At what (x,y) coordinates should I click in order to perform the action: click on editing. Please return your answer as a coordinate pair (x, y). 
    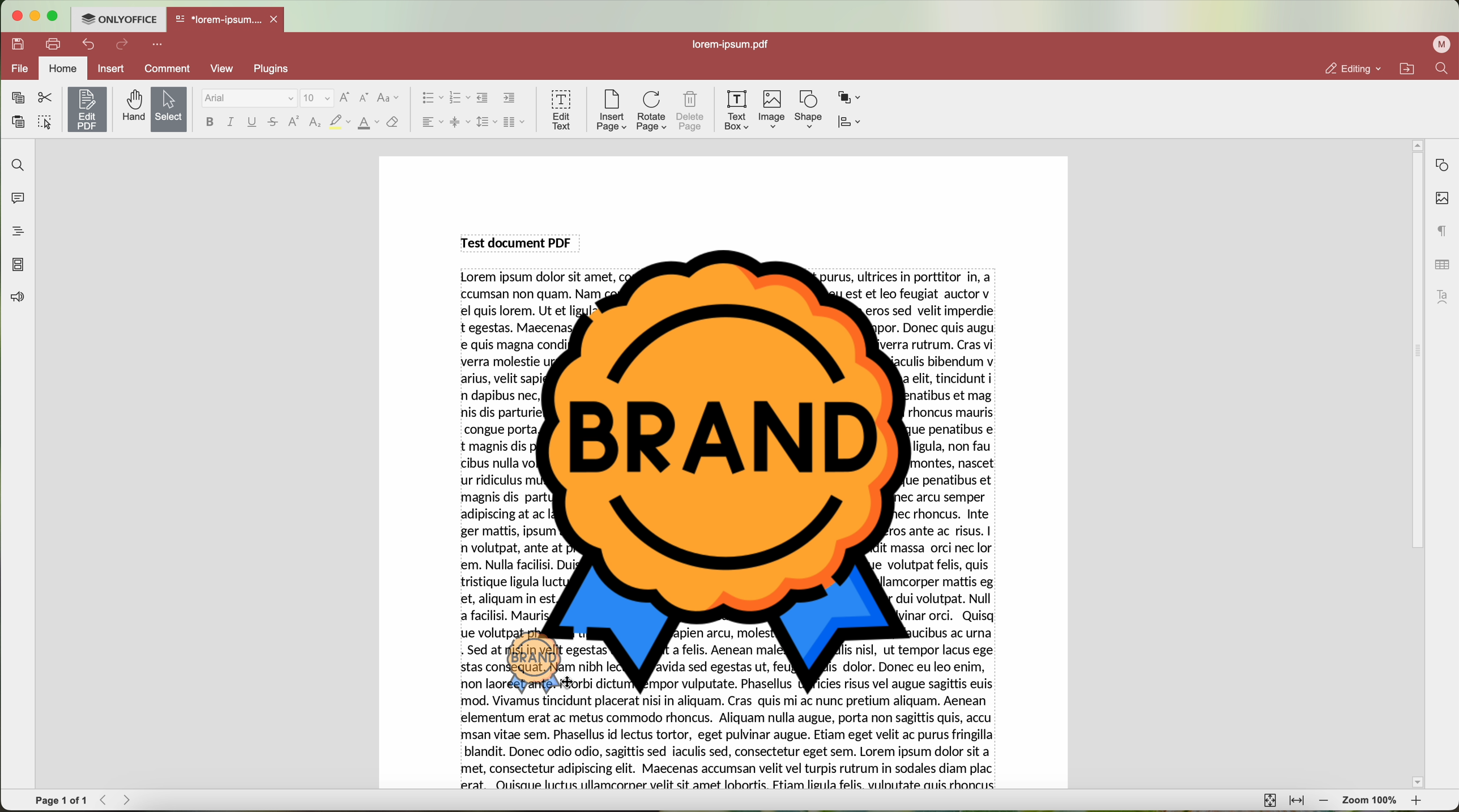
    Looking at the image, I should click on (1352, 69).